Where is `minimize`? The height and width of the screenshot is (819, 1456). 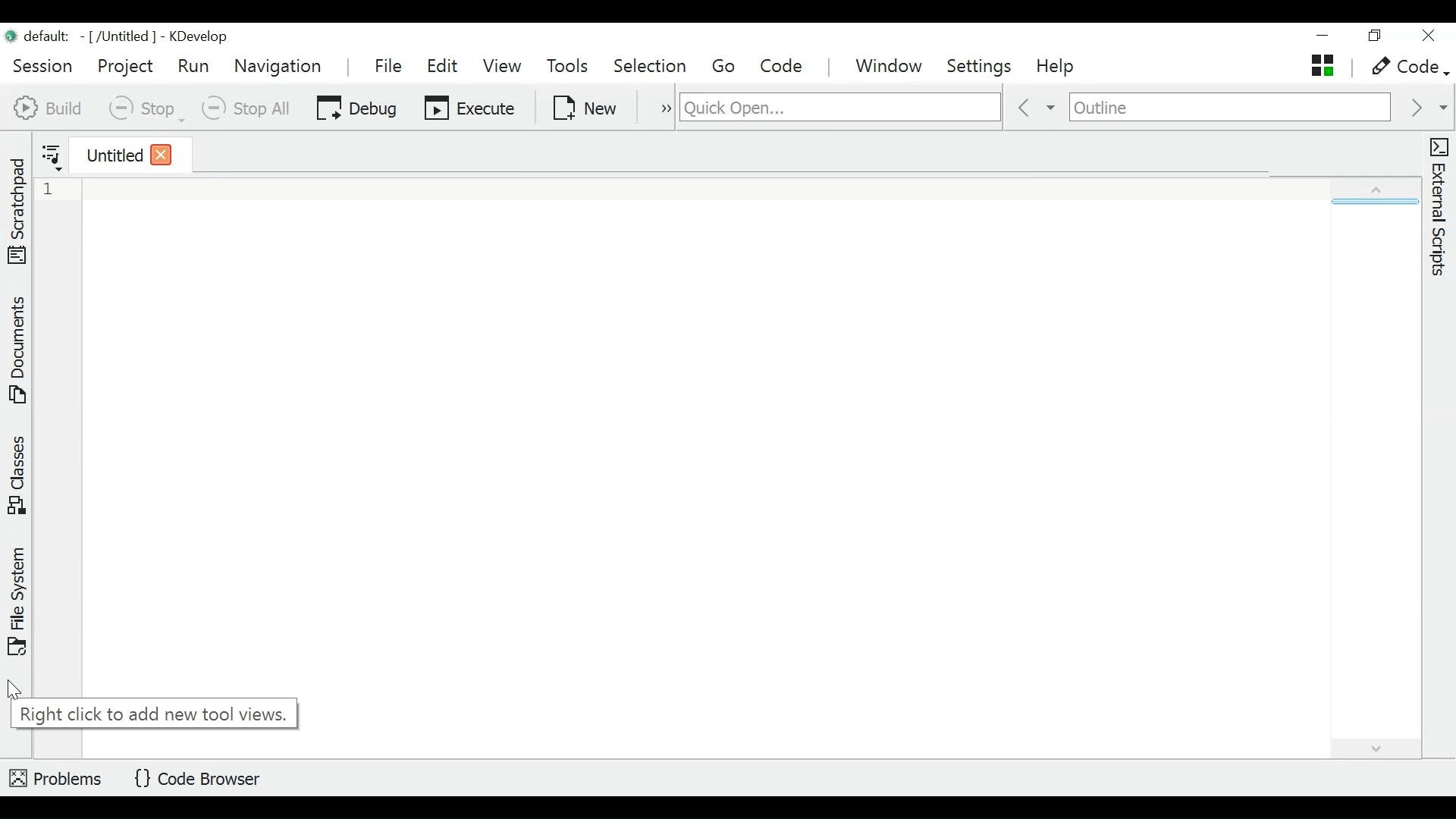
minimize is located at coordinates (1322, 36).